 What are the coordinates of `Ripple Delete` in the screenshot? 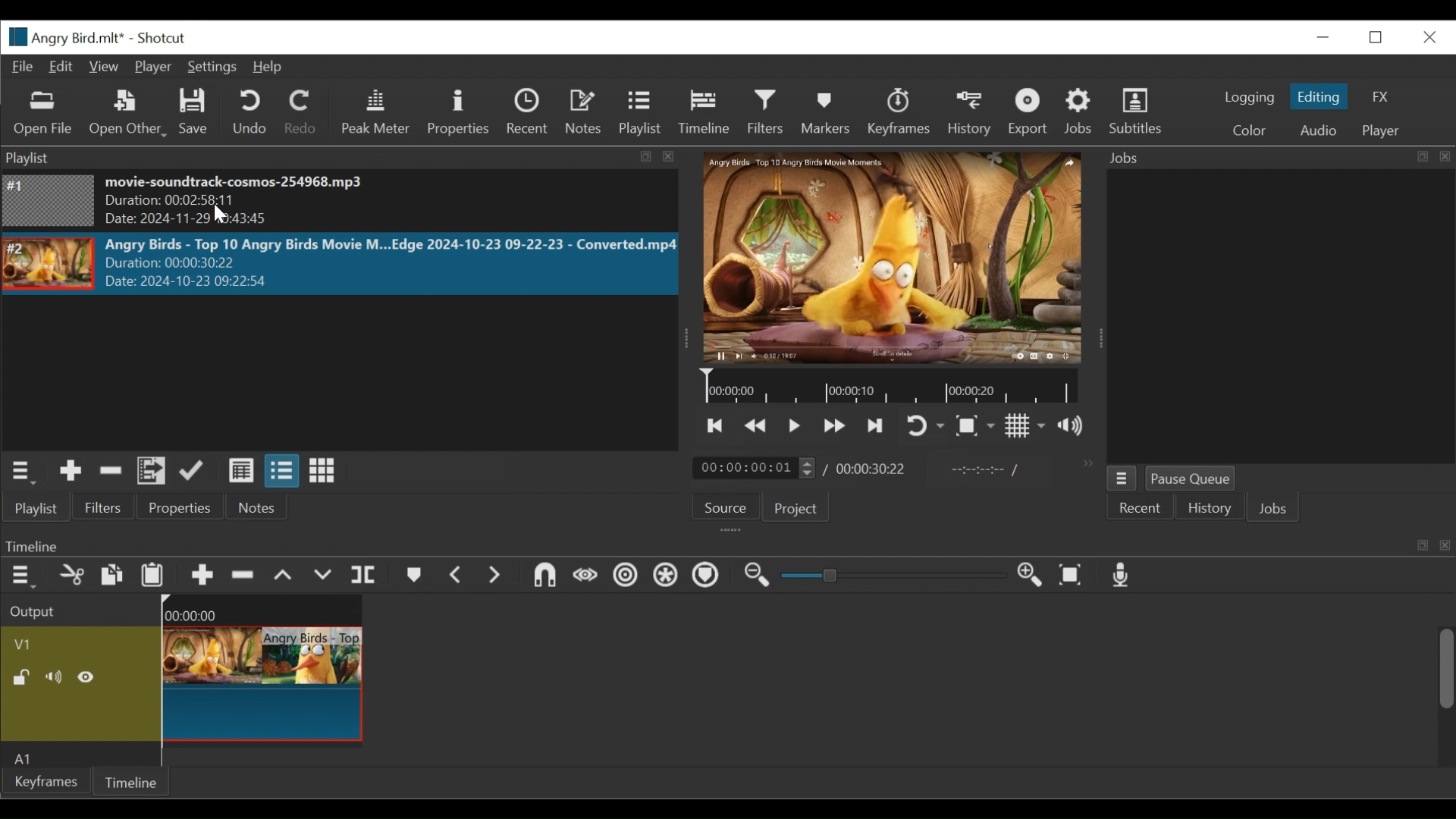 It's located at (243, 576).